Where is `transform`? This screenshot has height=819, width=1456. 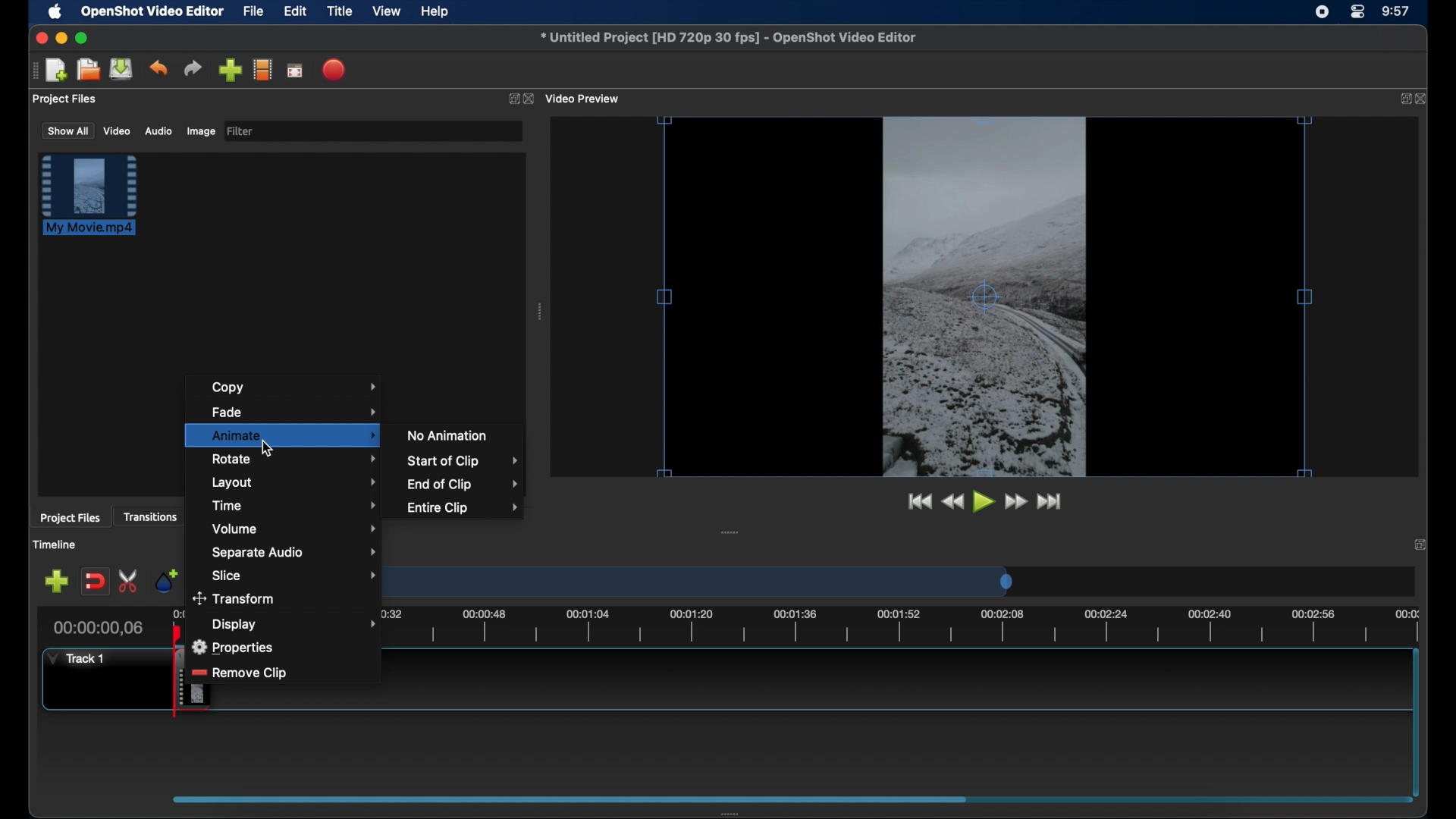
transform is located at coordinates (238, 598).